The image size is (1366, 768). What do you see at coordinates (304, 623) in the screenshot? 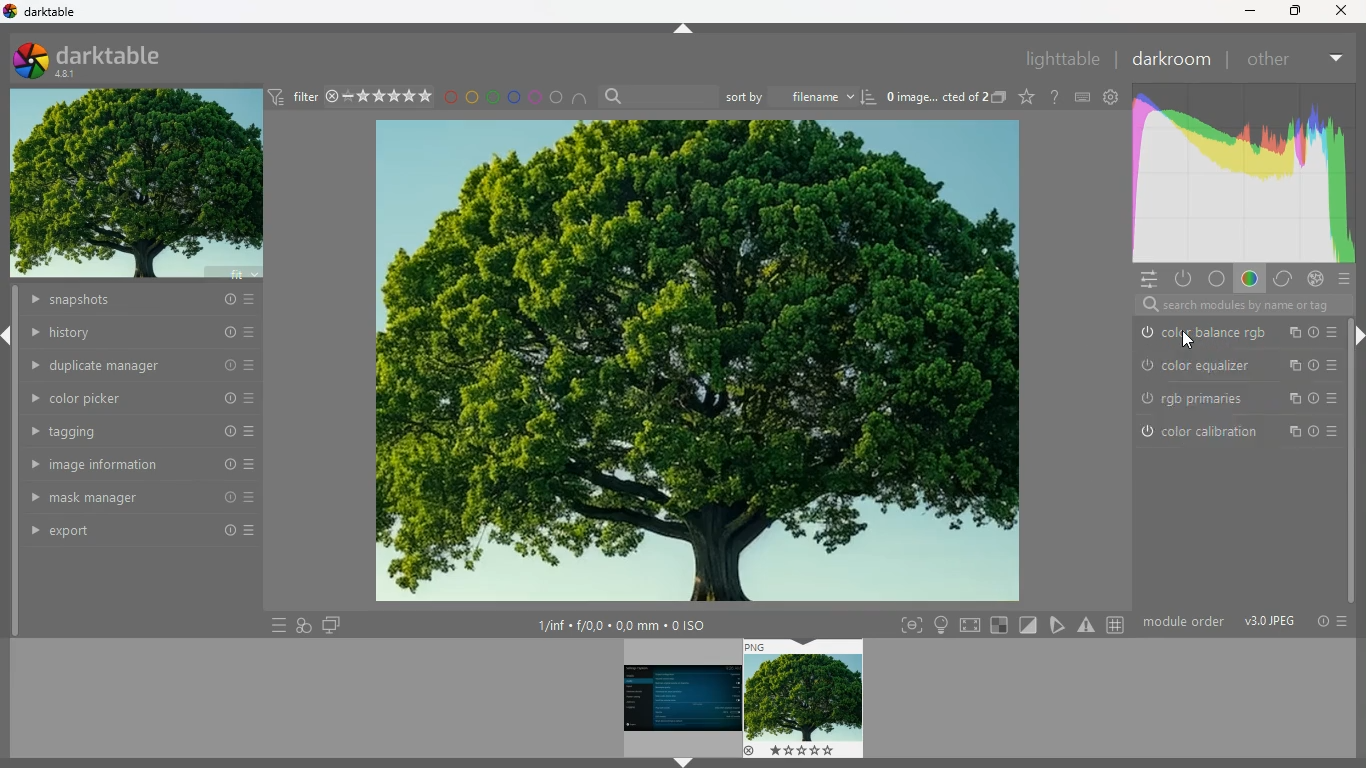
I see `overlap` at bounding box center [304, 623].